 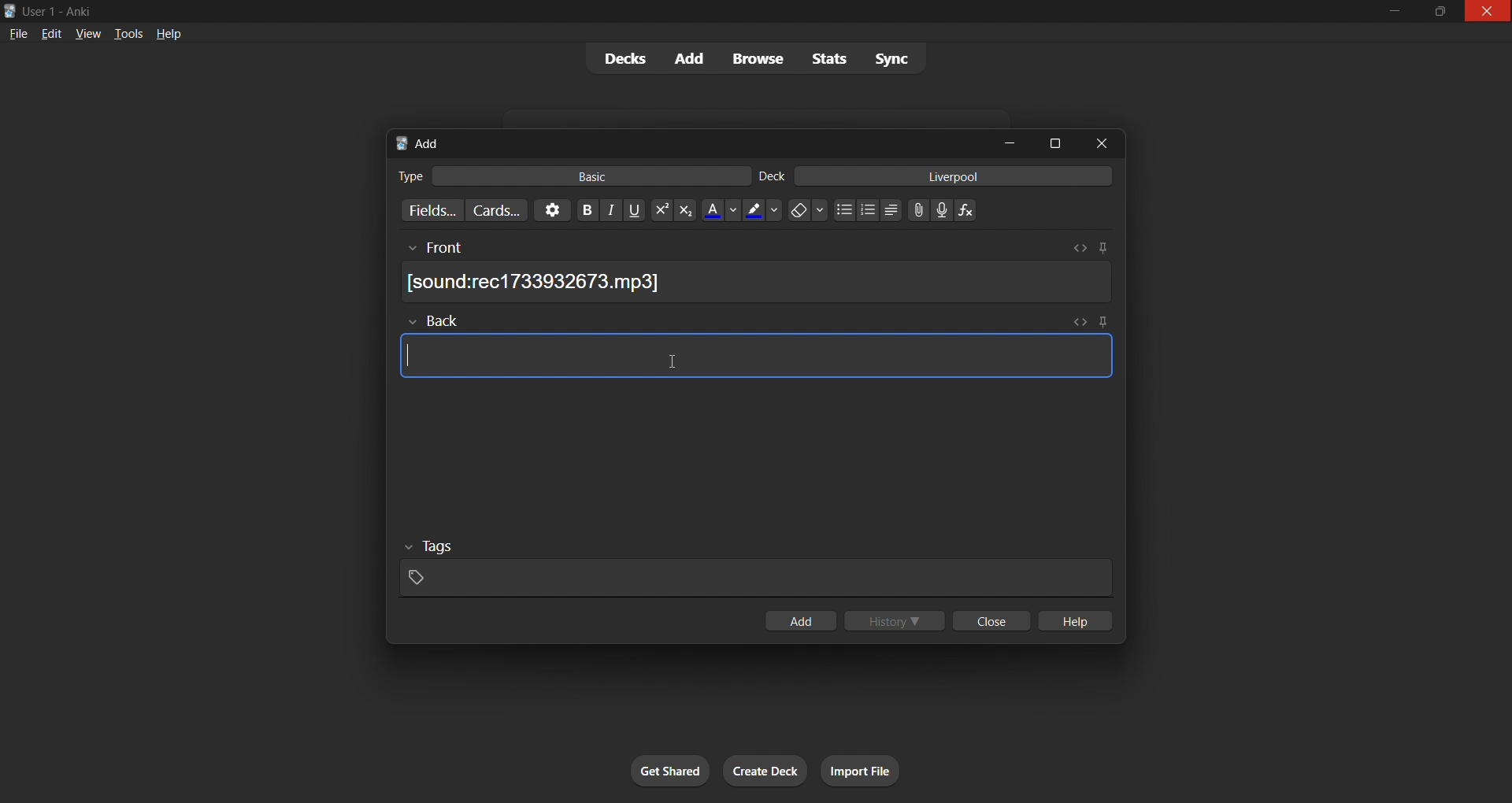 I want to click on options, so click(x=548, y=210).